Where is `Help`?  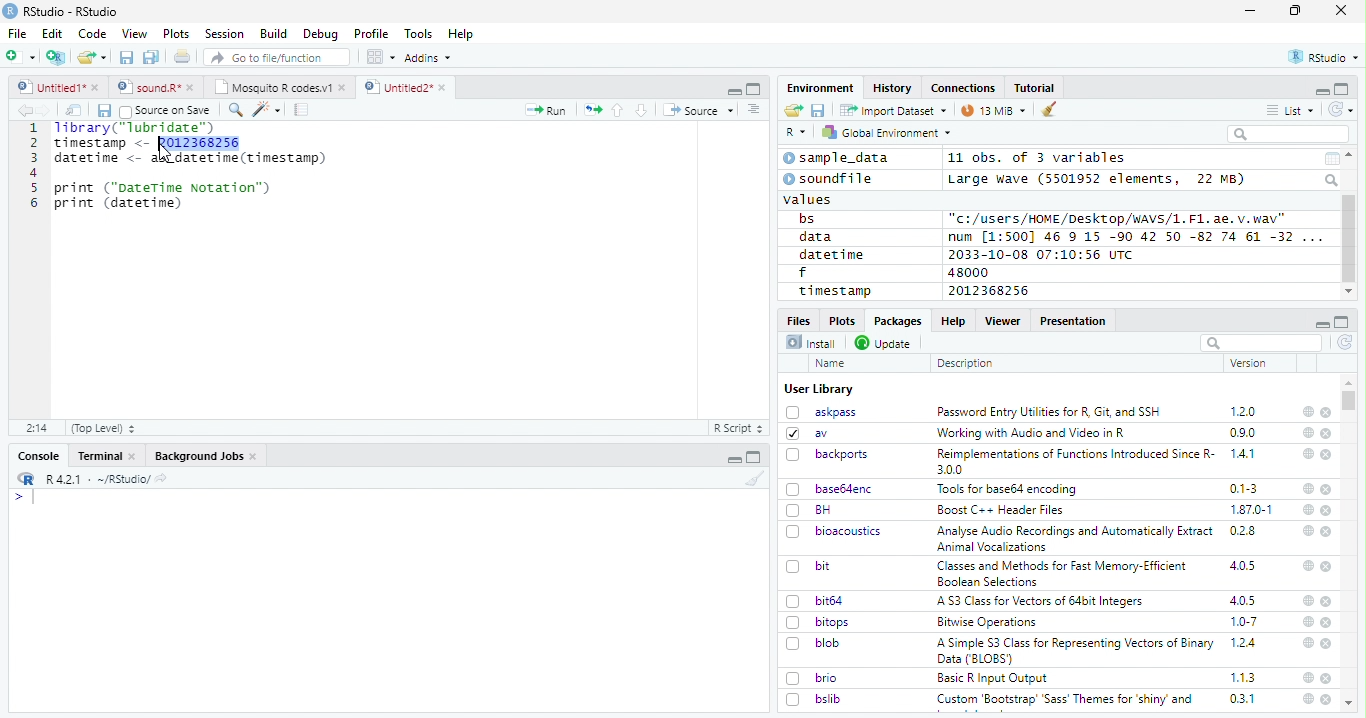 Help is located at coordinates (461, 35).